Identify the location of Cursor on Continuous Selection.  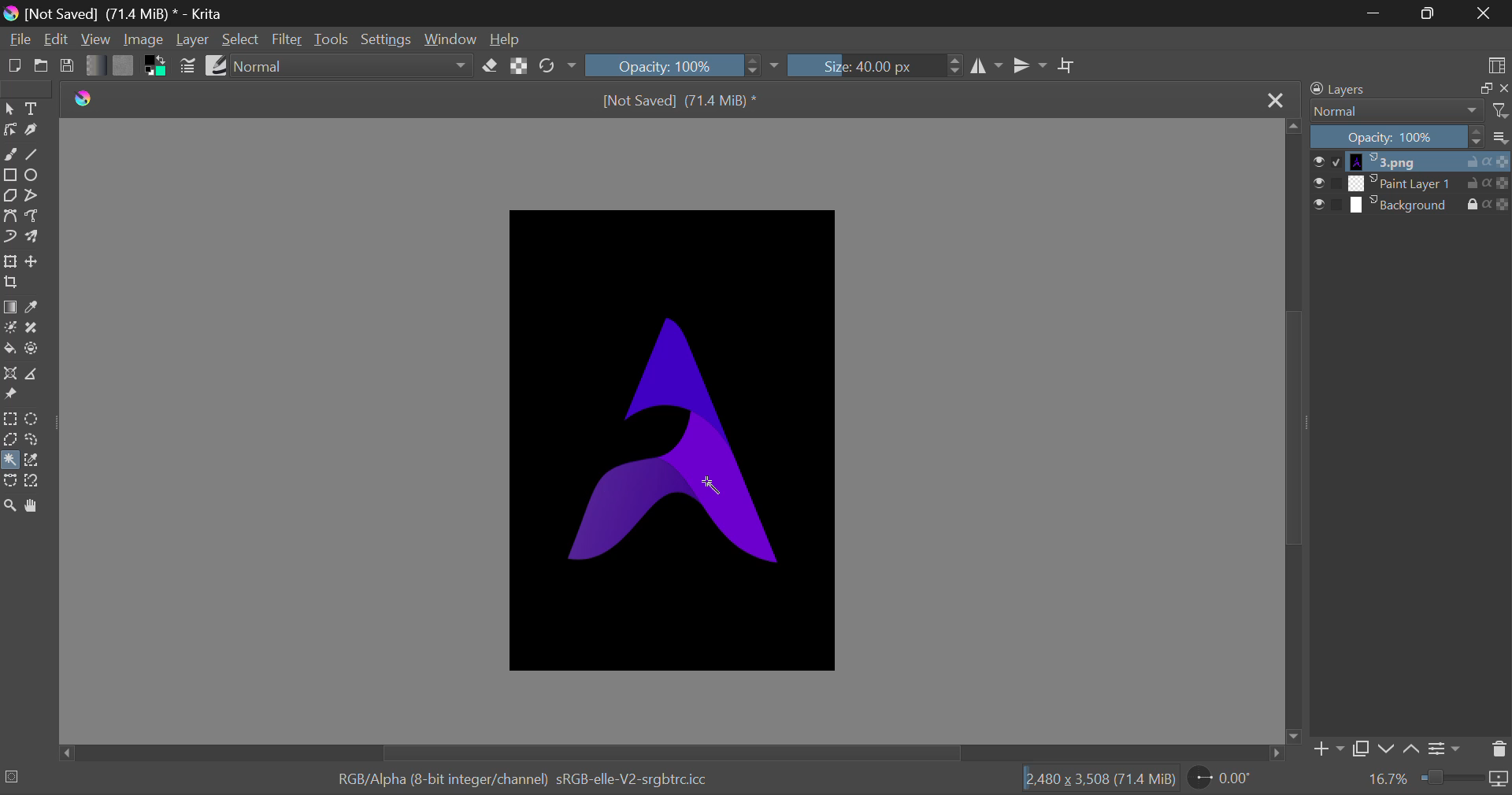
(10, 460).